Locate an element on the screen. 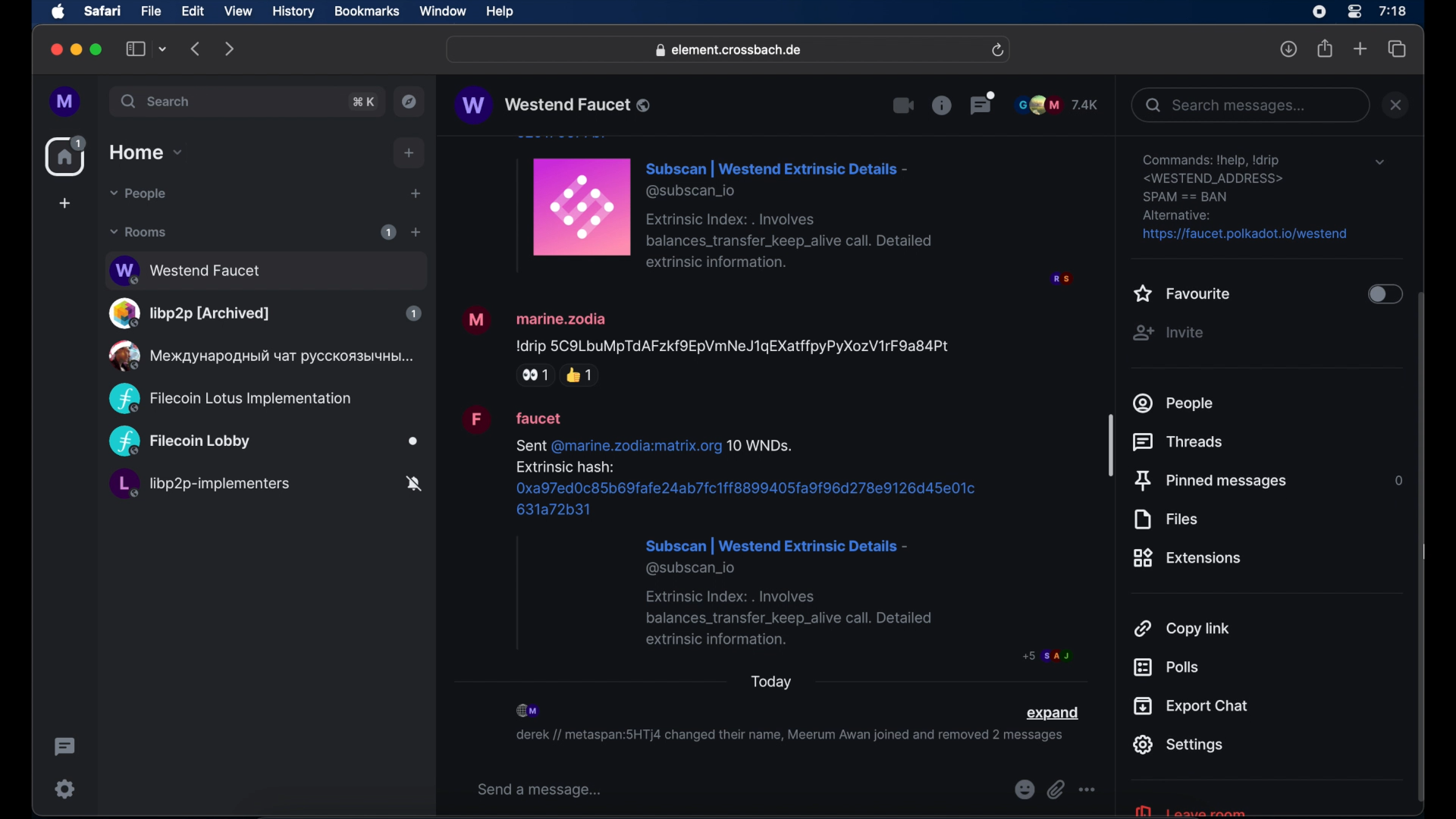  leave room is located at coordinates (1189, 809).